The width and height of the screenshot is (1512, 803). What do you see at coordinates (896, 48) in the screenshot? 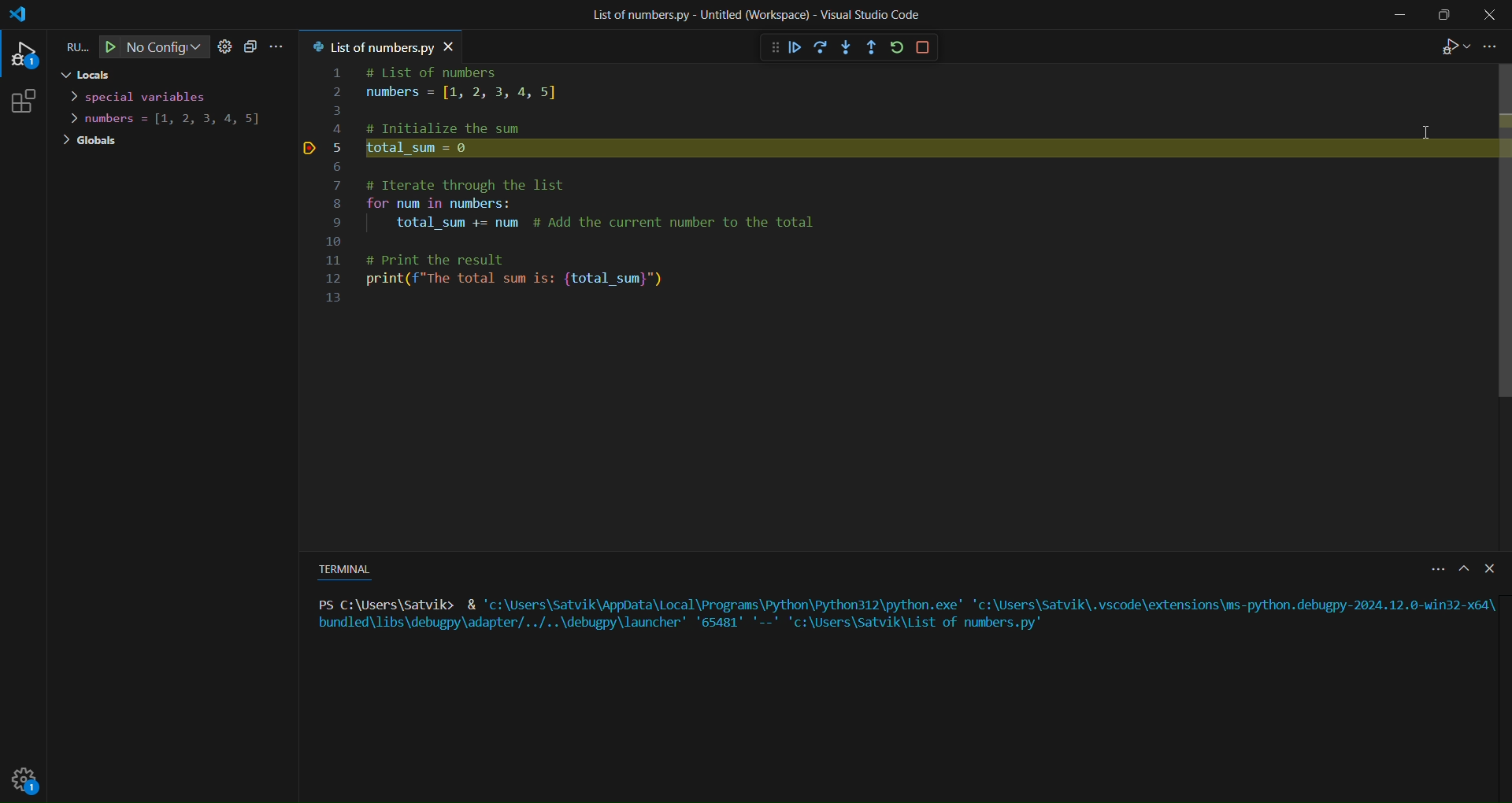
I see `restart` at bounding box center [896, 48].